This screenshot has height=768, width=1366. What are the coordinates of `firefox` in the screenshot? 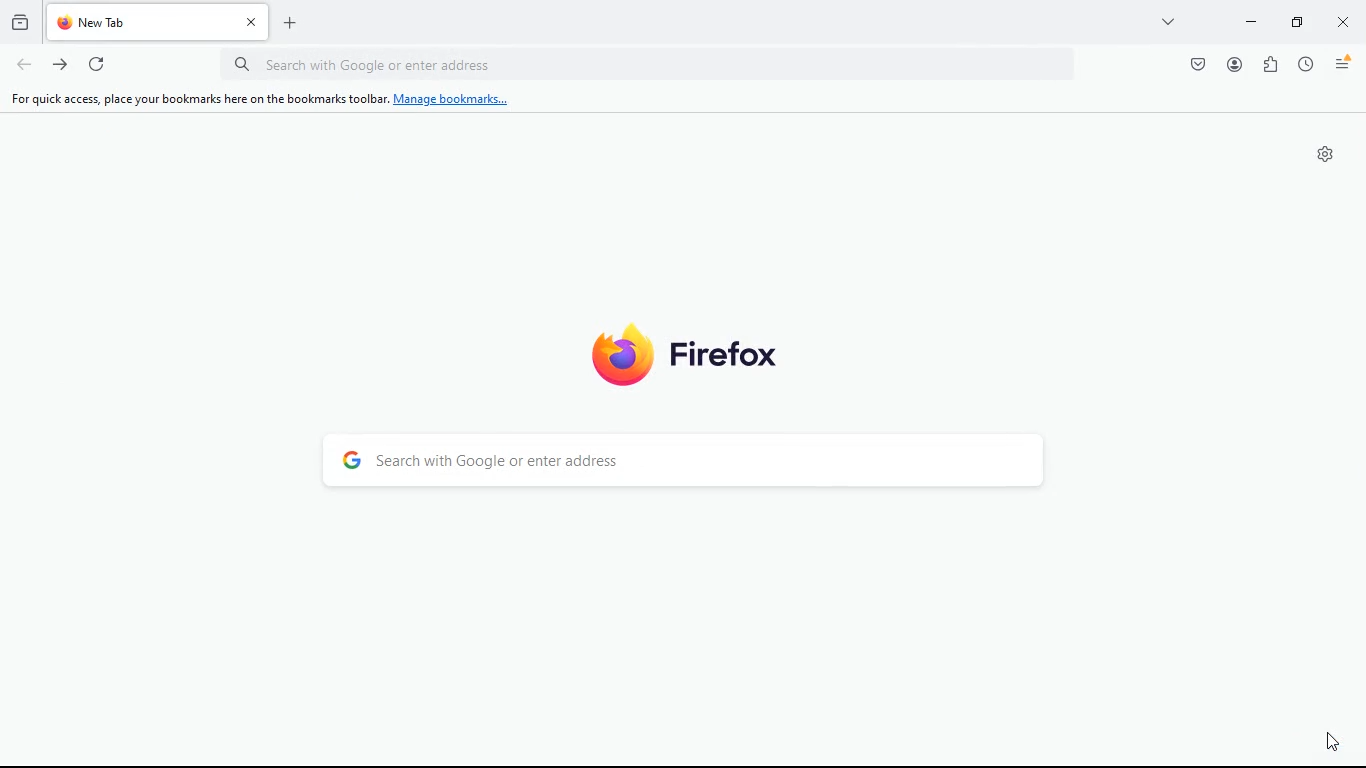 It's located at (710, 350).